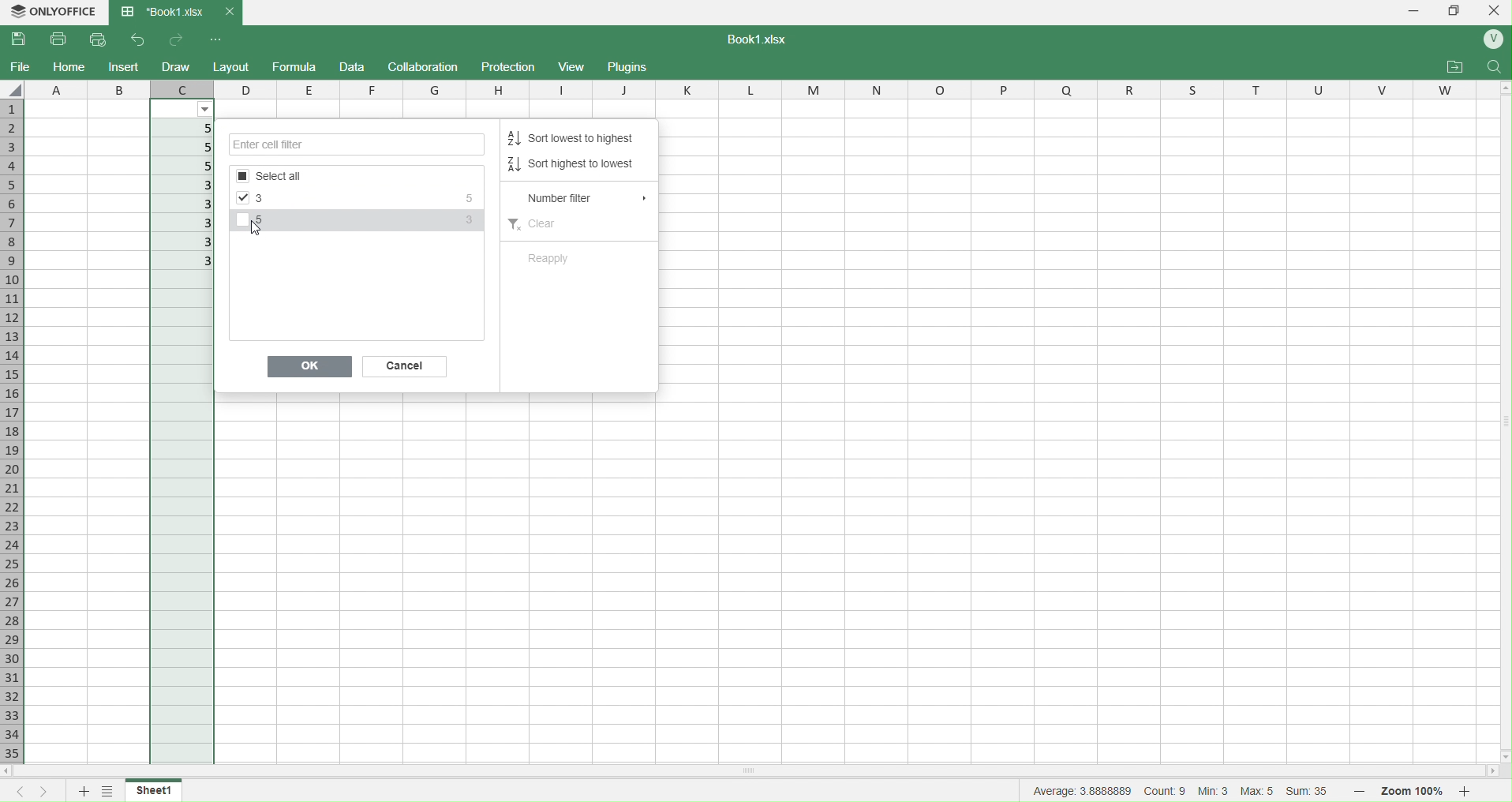  Describe the element at coordinates (1503, 757) in the screenshot. I see `scroll down` at that location.